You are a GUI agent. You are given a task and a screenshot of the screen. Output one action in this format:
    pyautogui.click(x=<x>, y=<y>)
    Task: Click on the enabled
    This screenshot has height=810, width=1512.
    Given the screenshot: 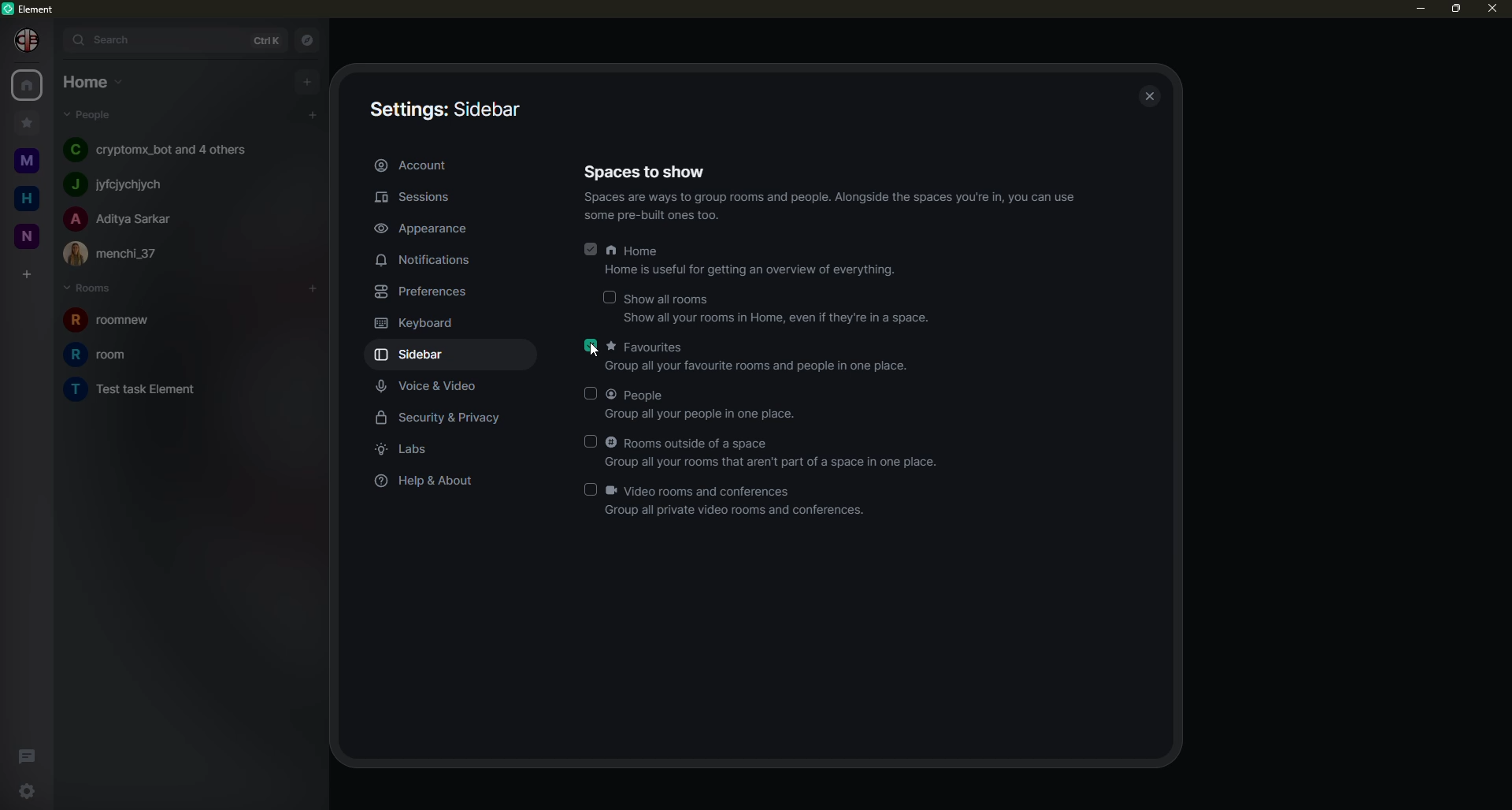 What is the action you would take?
    pyautogui.click(x=589, y=254)
    